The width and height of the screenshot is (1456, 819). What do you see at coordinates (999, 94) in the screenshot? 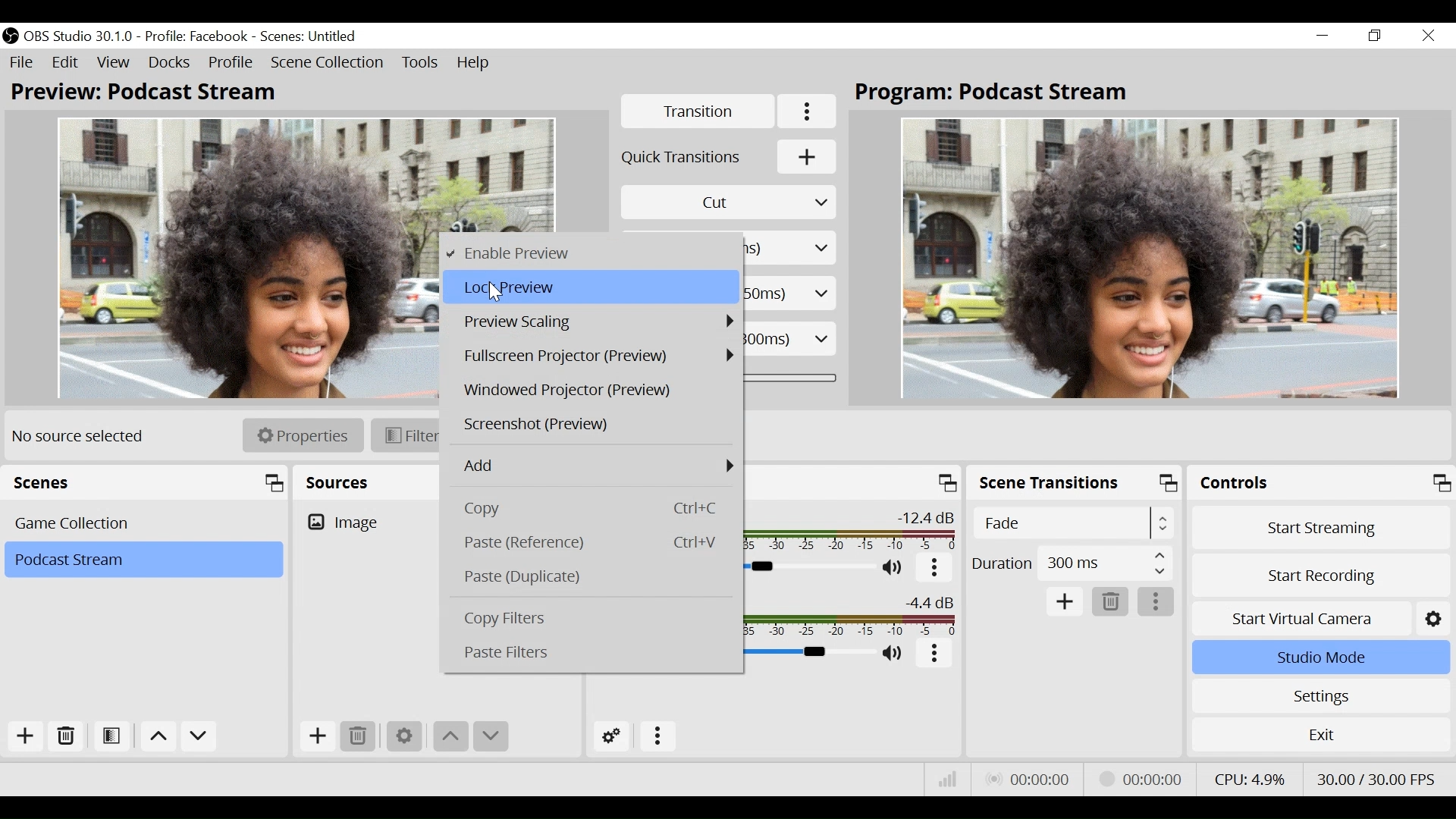
I see `Program: Scene` at bounding box center [999, 94].